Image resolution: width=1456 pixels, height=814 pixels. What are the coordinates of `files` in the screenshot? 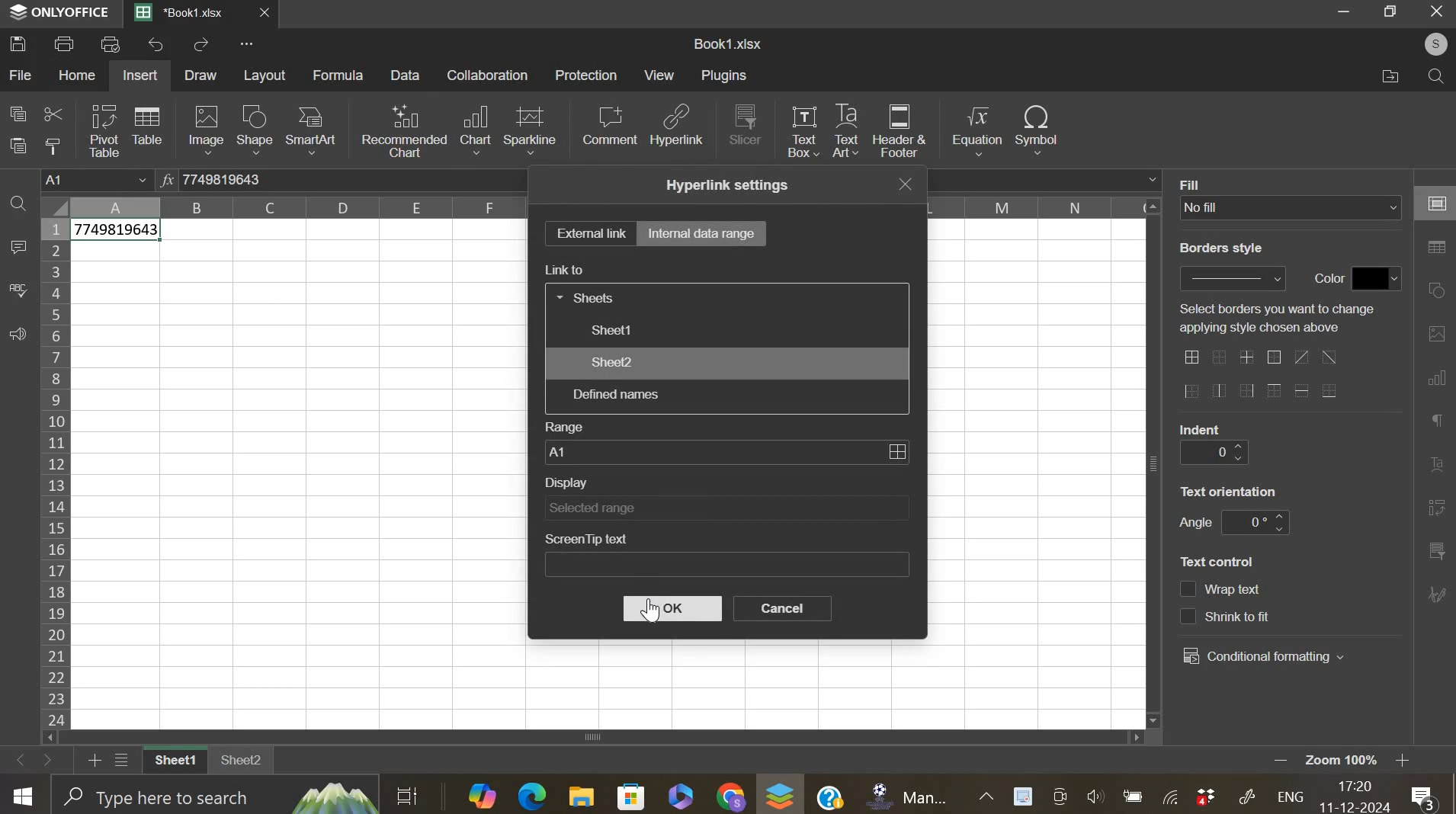 It's located at (1390, 76).